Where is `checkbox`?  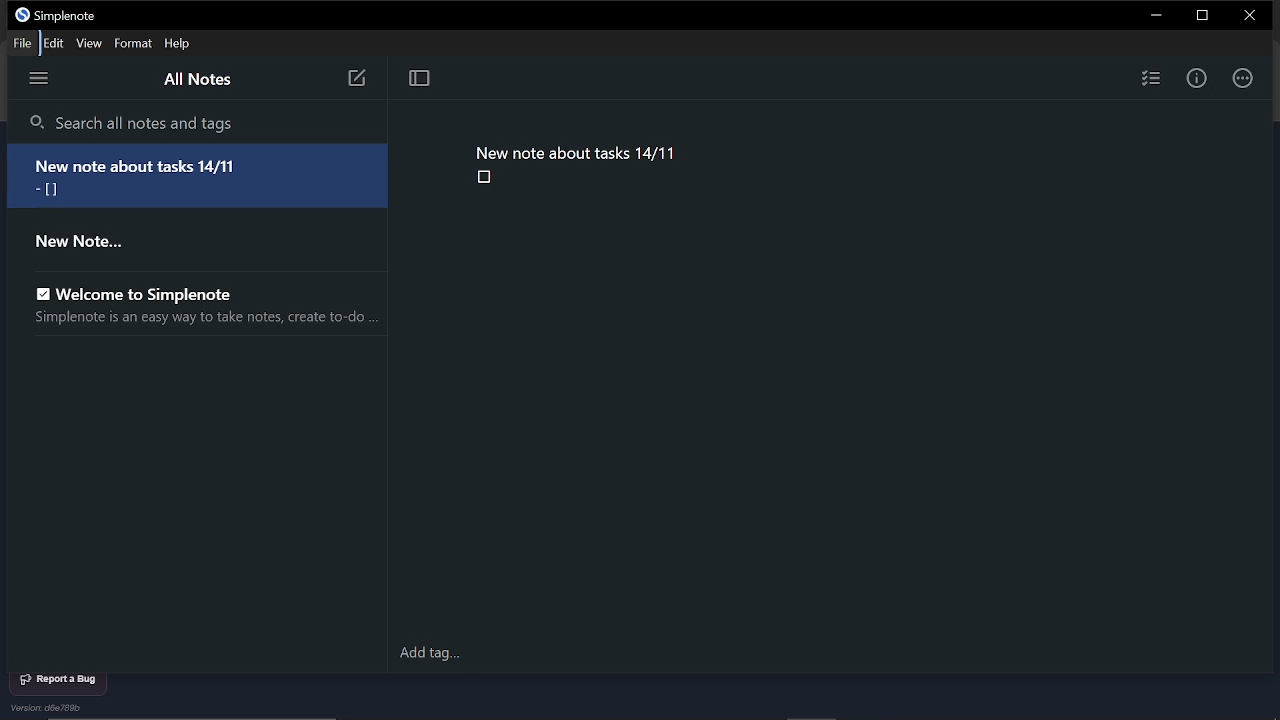
checkbox is located at coordinates (484, 178).